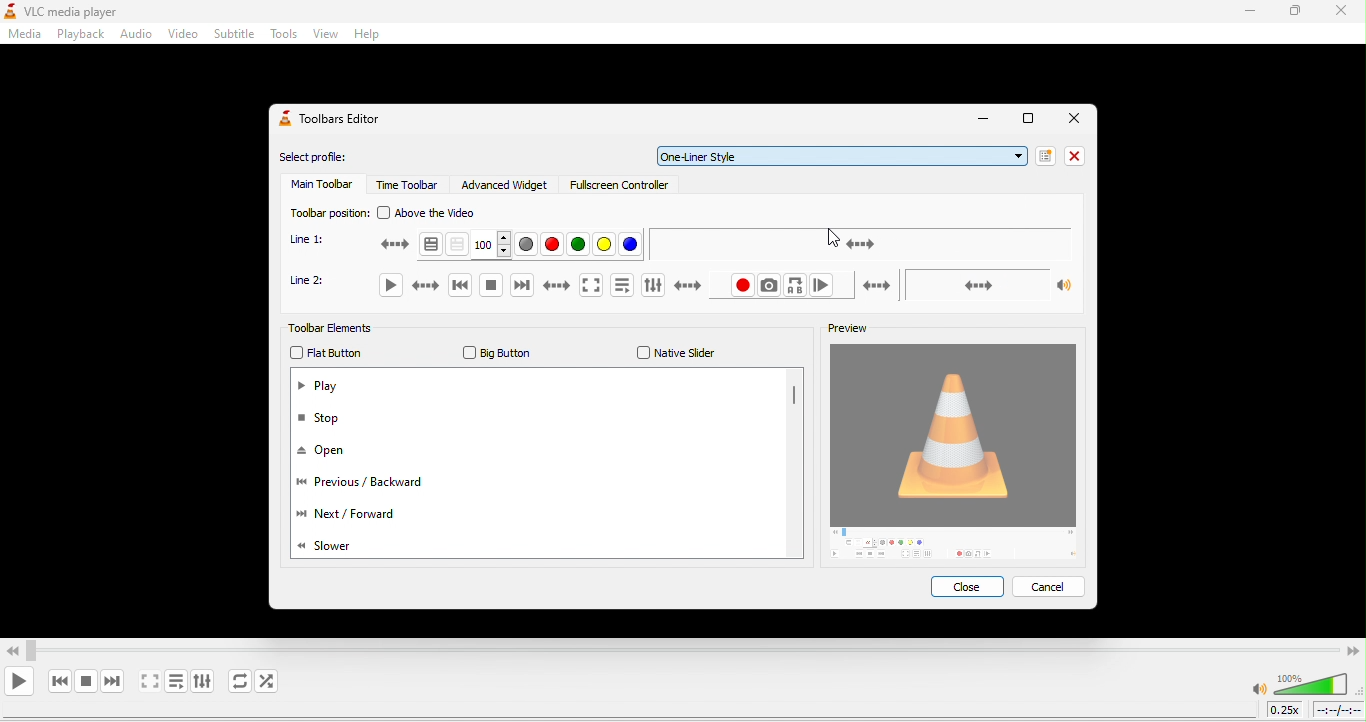 The image size is (1366, 722). What do you see at coordinates (58, 681) in the screenshot?
I see `previous media` at bounding box center [58, 681].